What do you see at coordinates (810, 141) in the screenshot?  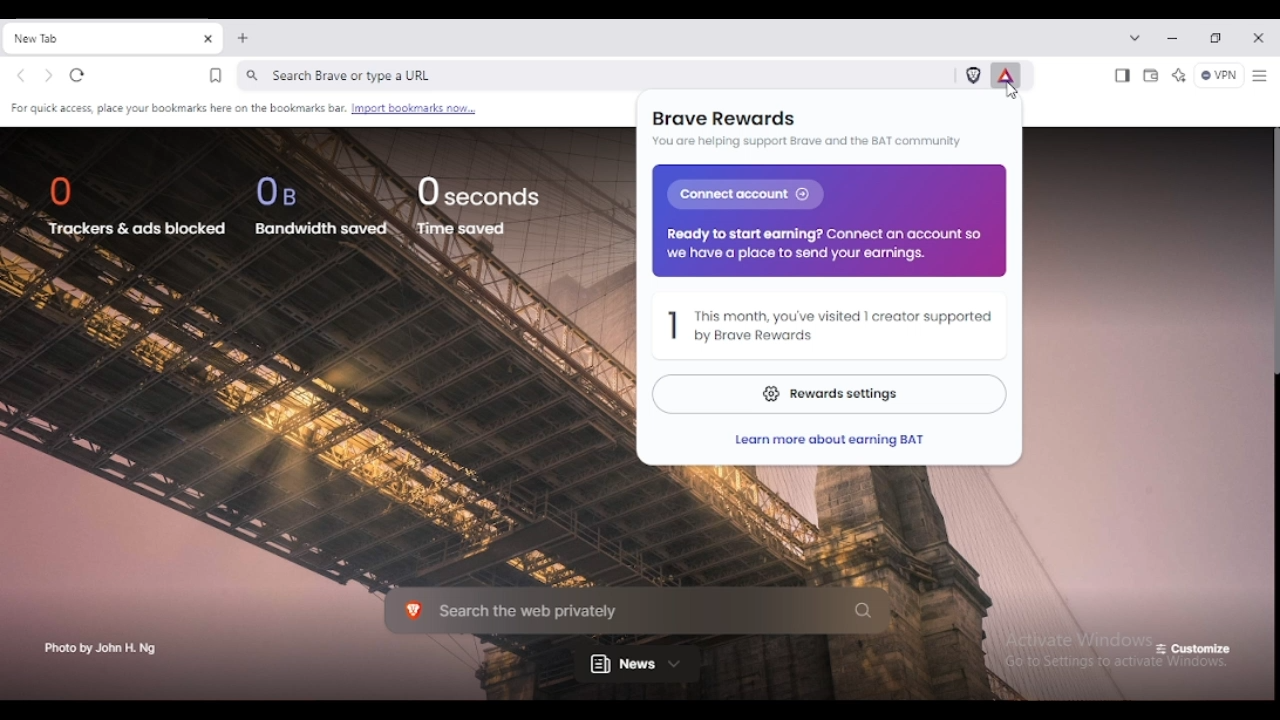 I see `you are helping support brave and the BAT community` at bounding box center [810, 141].